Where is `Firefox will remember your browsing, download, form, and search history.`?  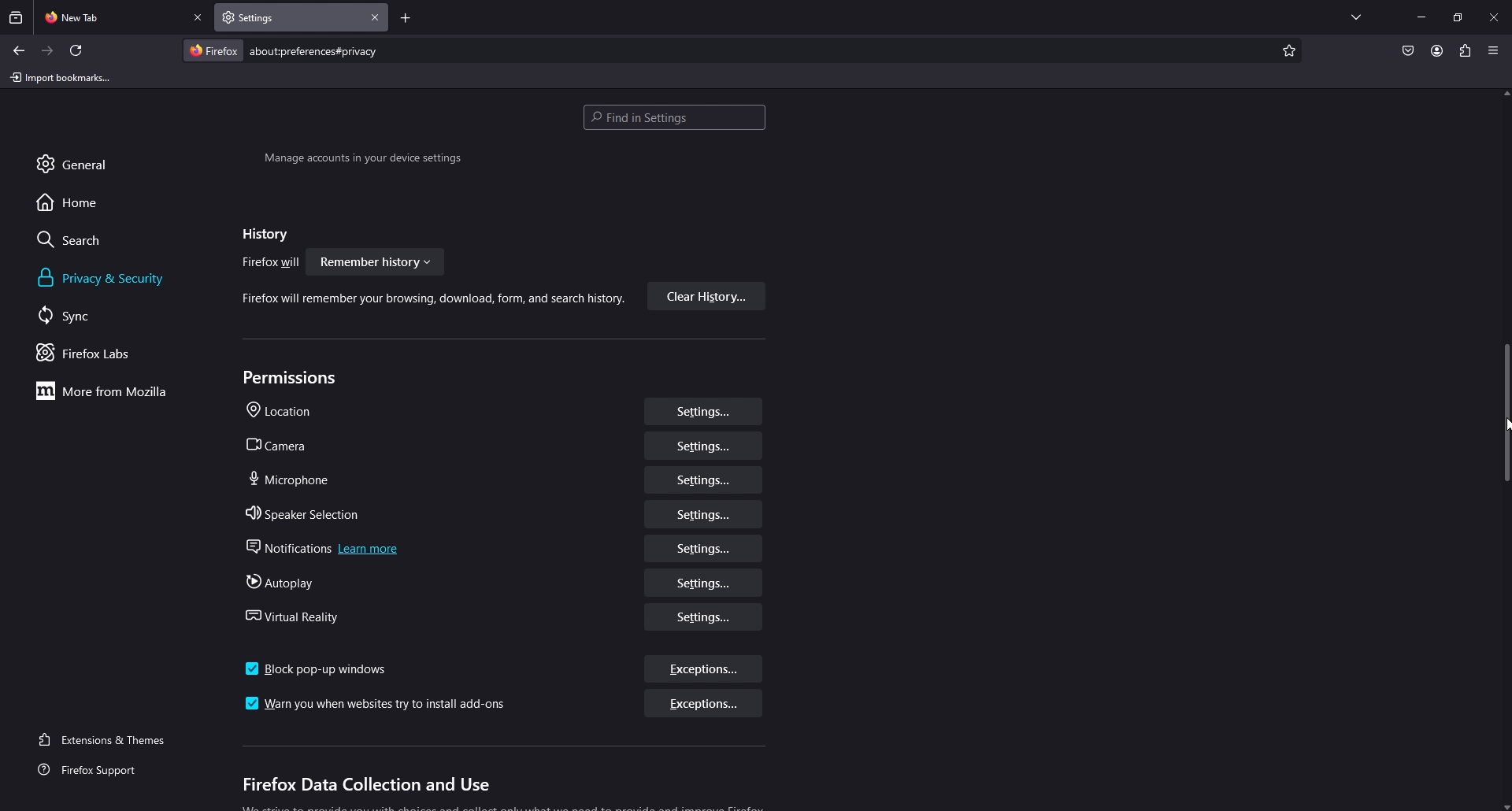
Firefox will remember your browsing, download, form, and search history. is located at coordinates (425, 302).